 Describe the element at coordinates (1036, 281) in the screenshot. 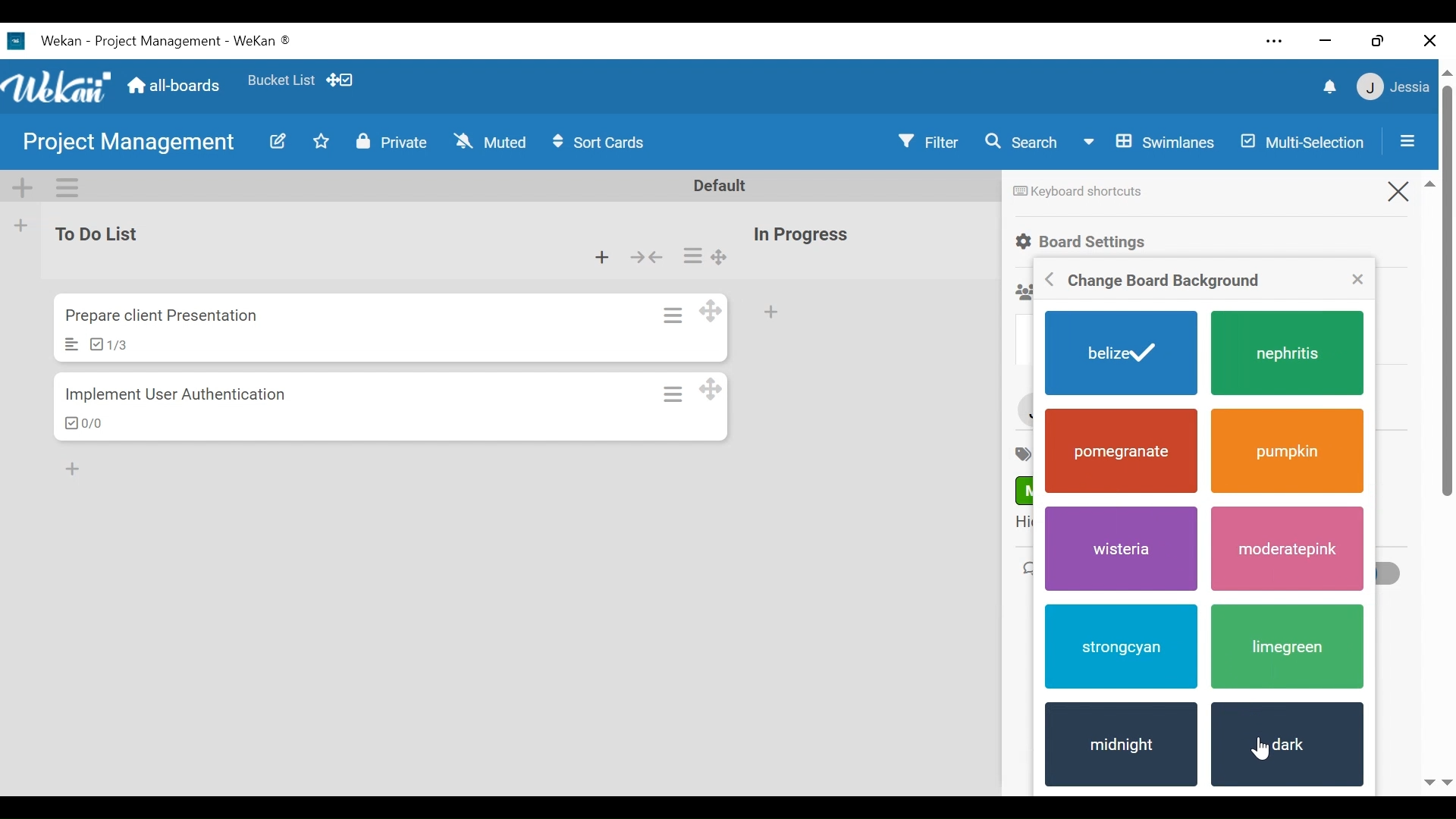

I see `Go back` at that location.